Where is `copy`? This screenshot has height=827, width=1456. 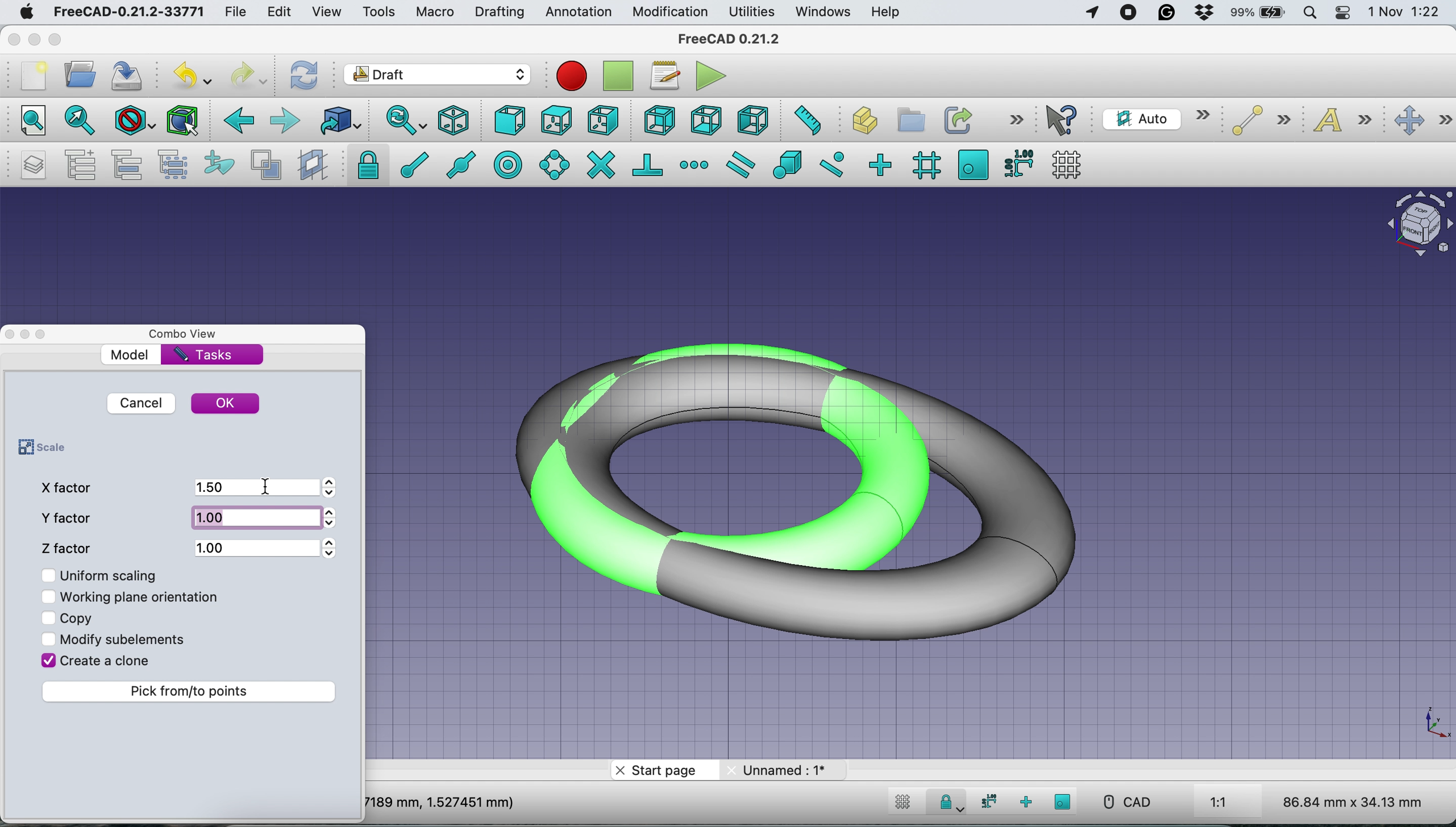
copy is located at coordinates (78, 616).